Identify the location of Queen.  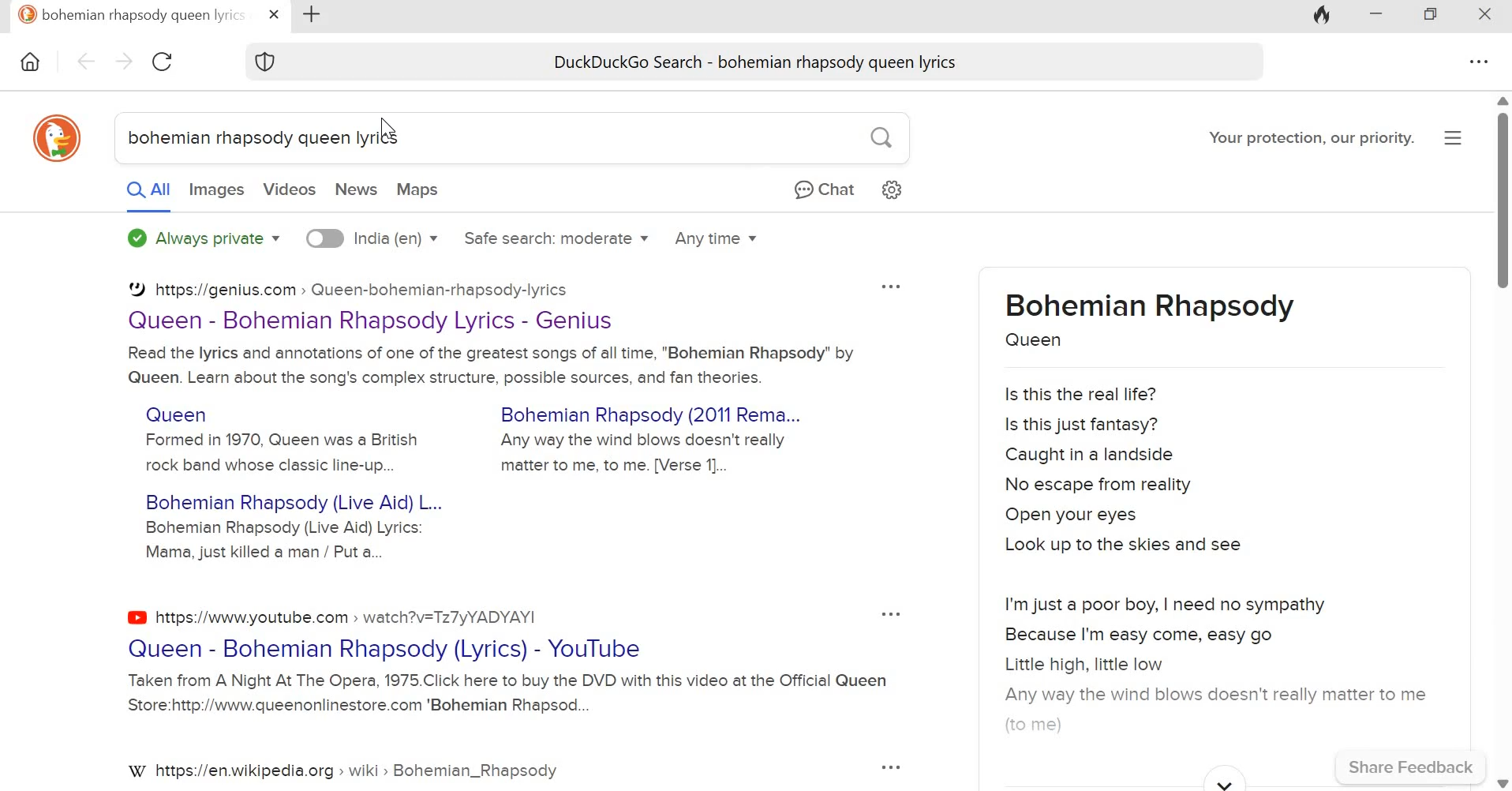
(1040, 340).